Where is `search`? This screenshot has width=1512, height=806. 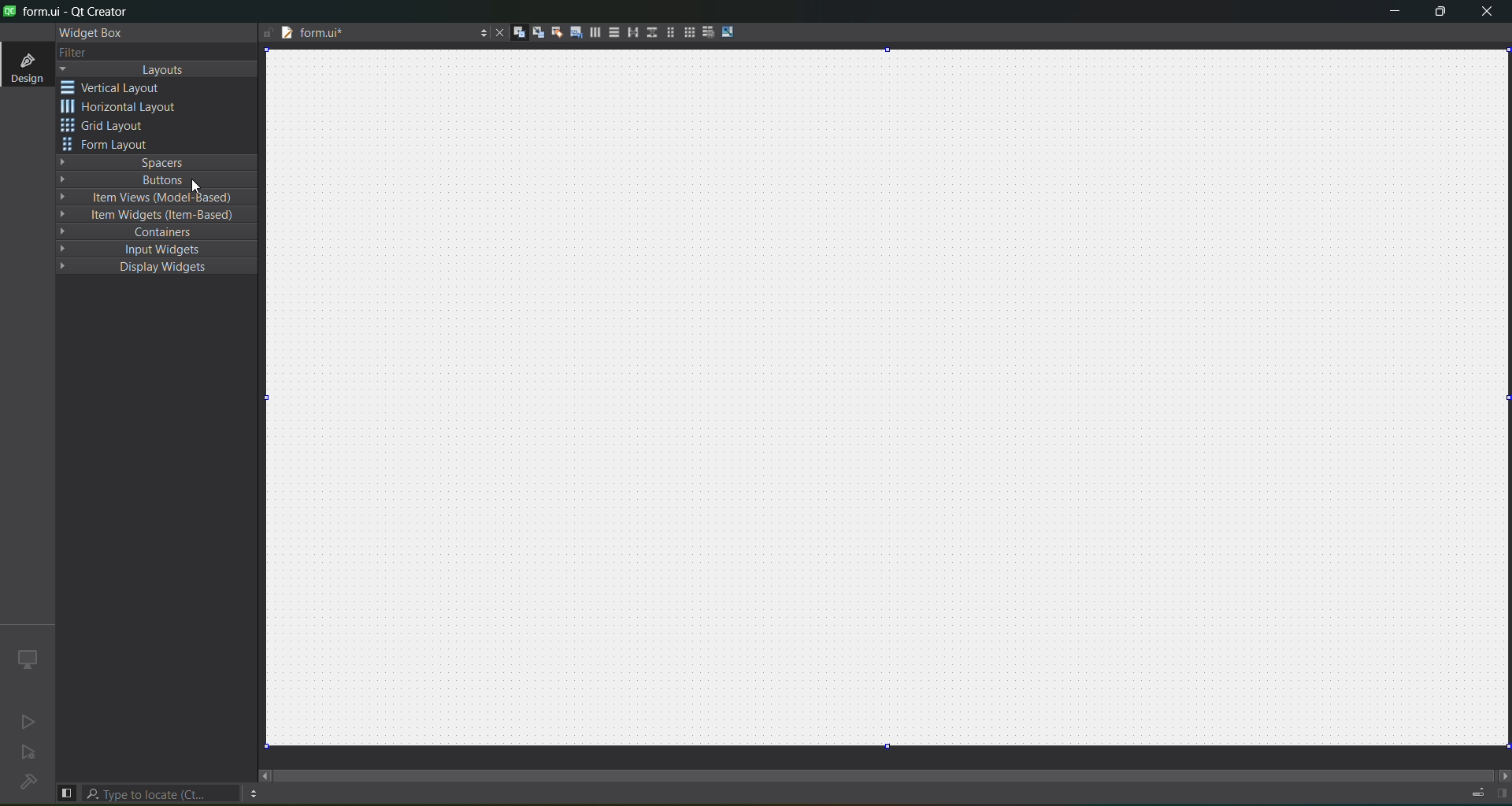 search is located at coordinates (162, 793).